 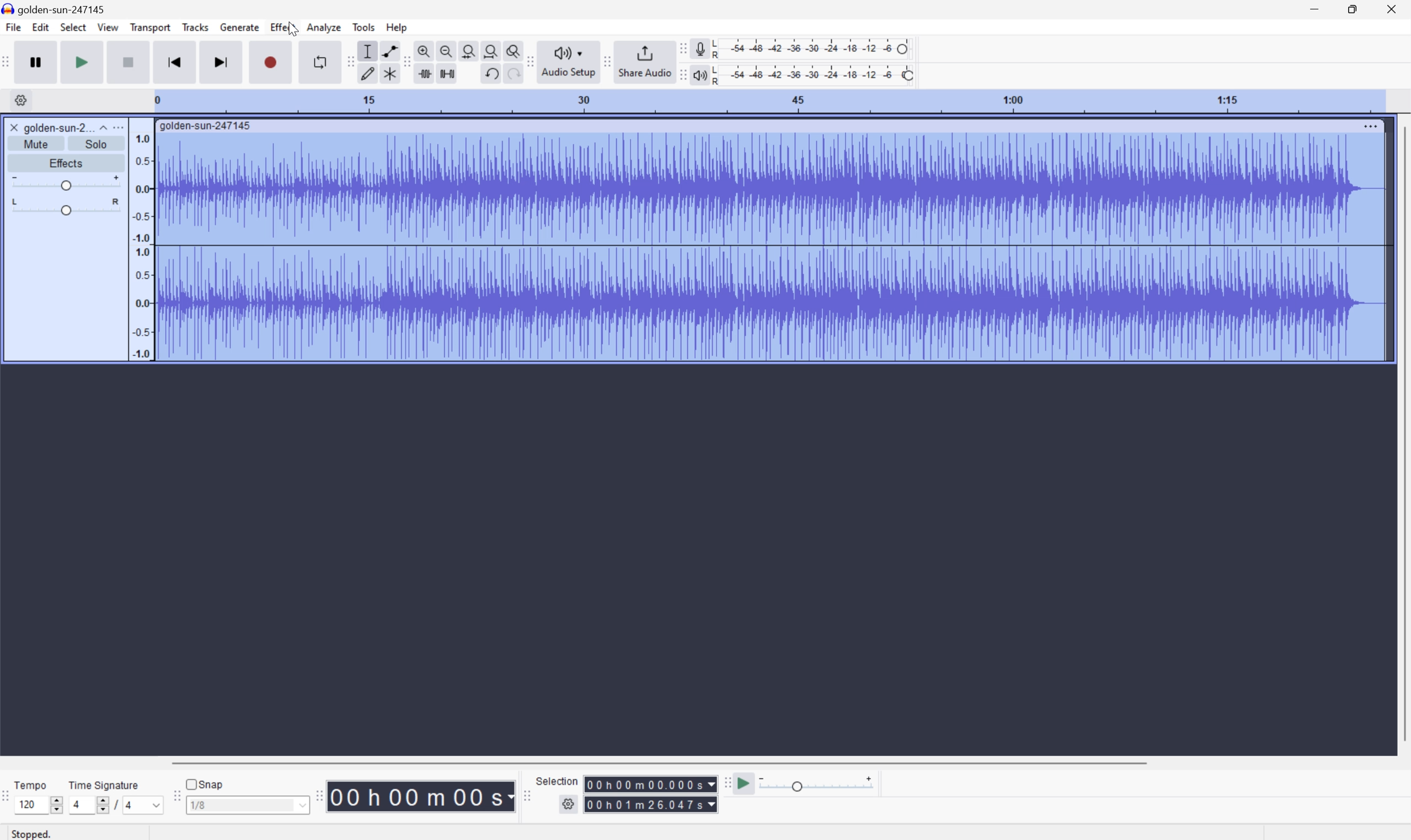 What do you see at coordinates (66, 207) in the screenshot?
I see `Slider` at bounding box center [66, 207].